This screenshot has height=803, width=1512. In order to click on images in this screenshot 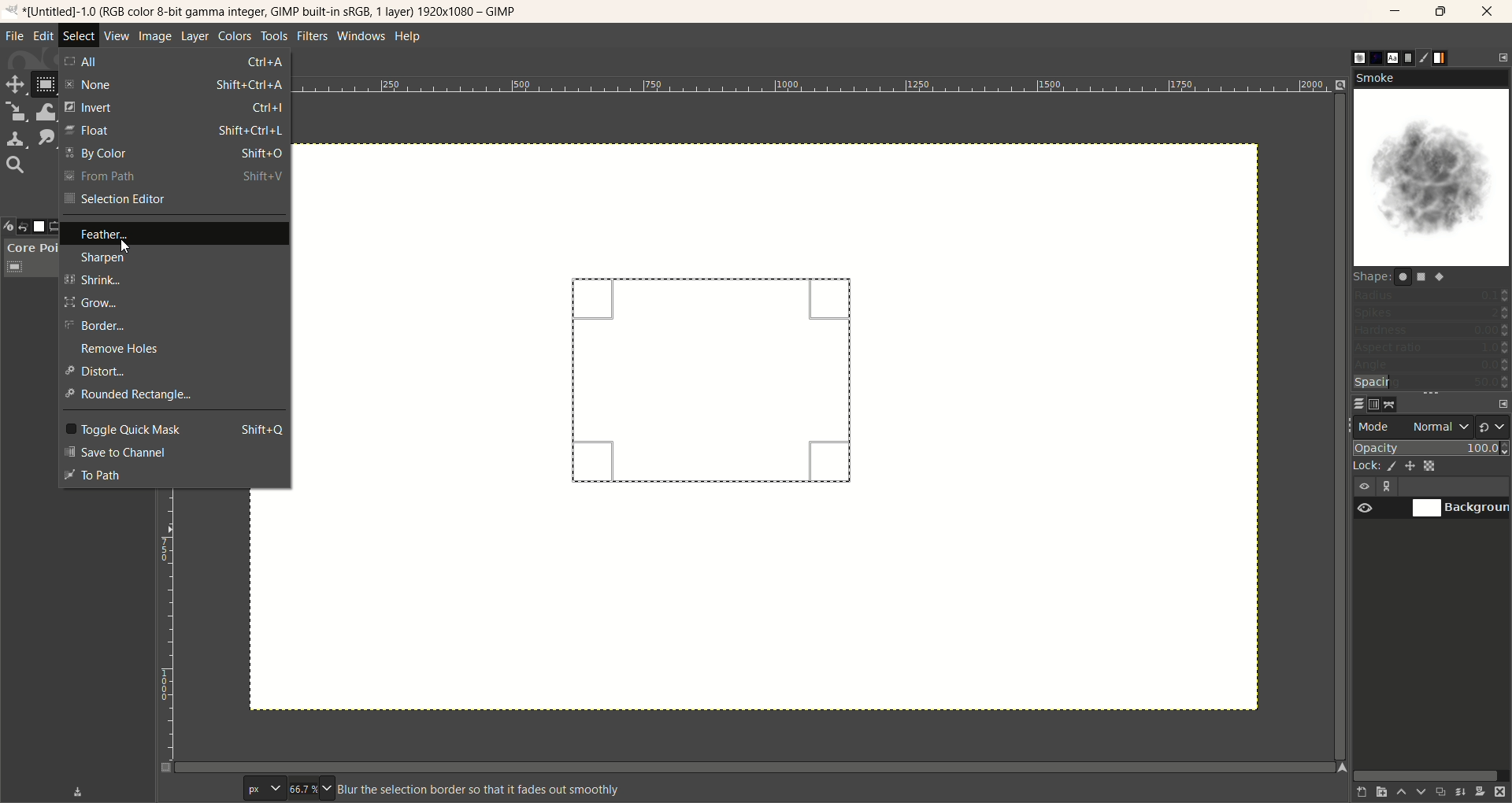, I will do `click(37, 227)`.